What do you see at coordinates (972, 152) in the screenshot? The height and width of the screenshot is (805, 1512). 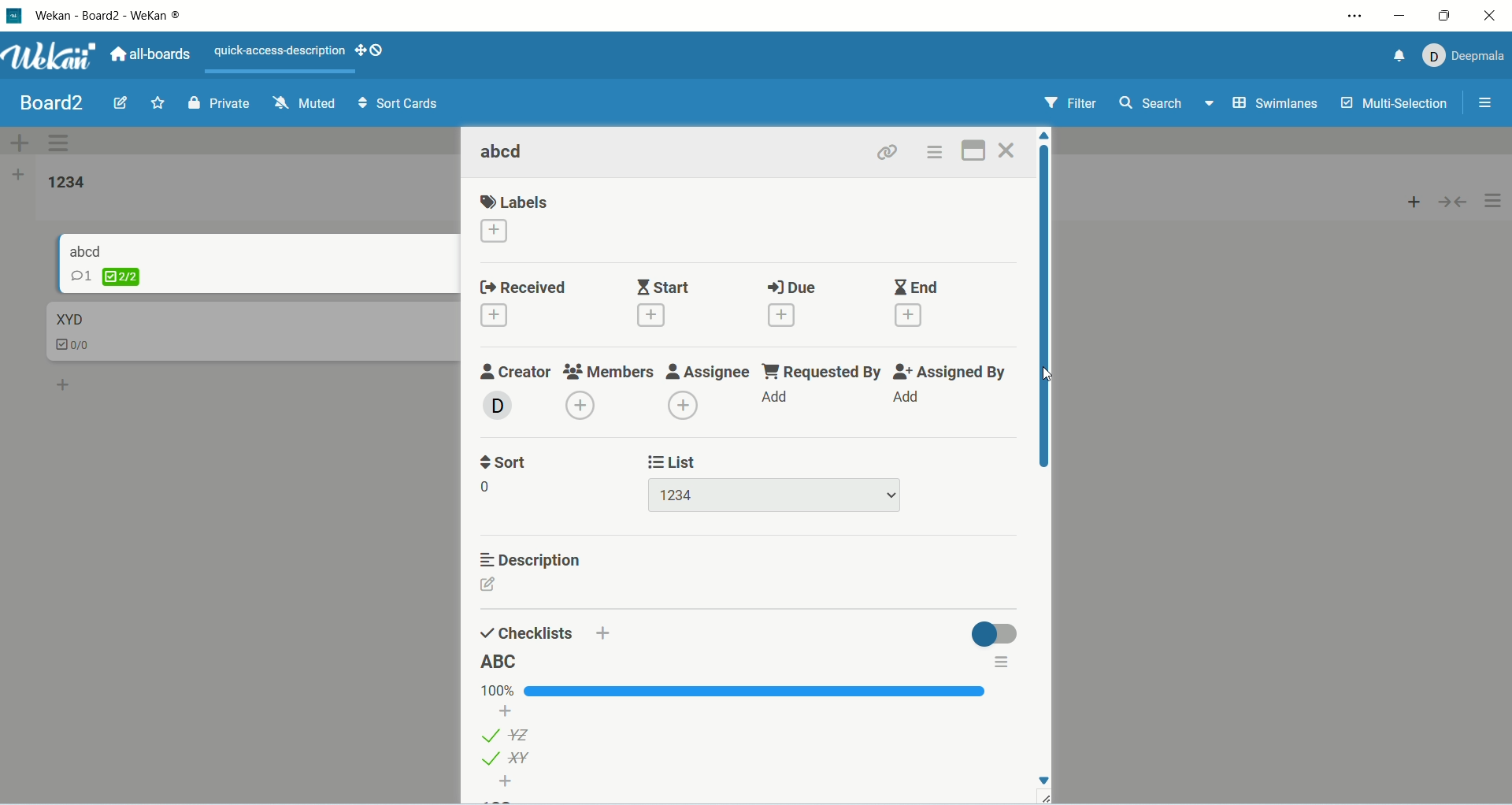 I see `maximize` at bounding box center [972, 152].